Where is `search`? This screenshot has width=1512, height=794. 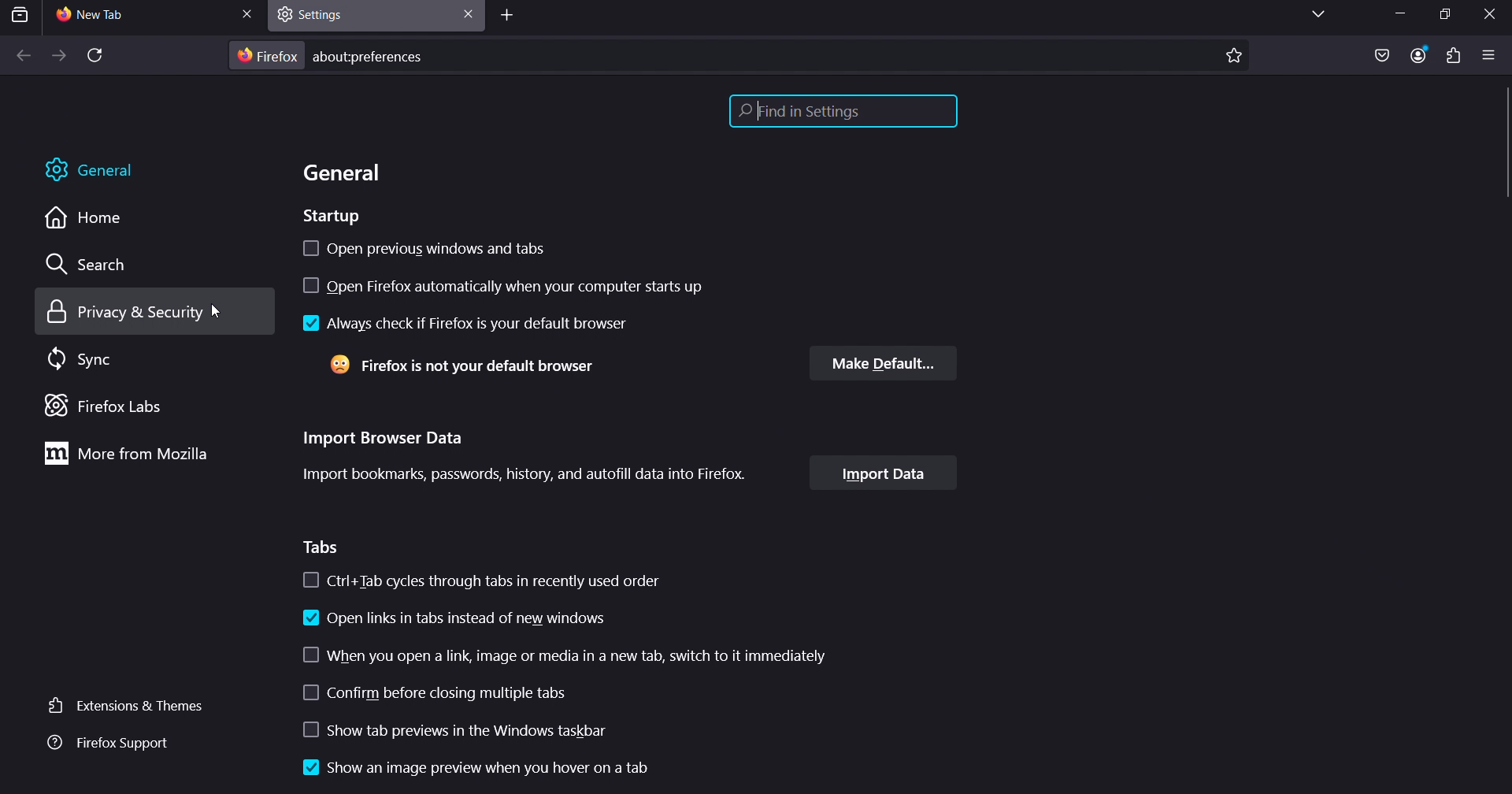 search is located at coordinates (94, 267).